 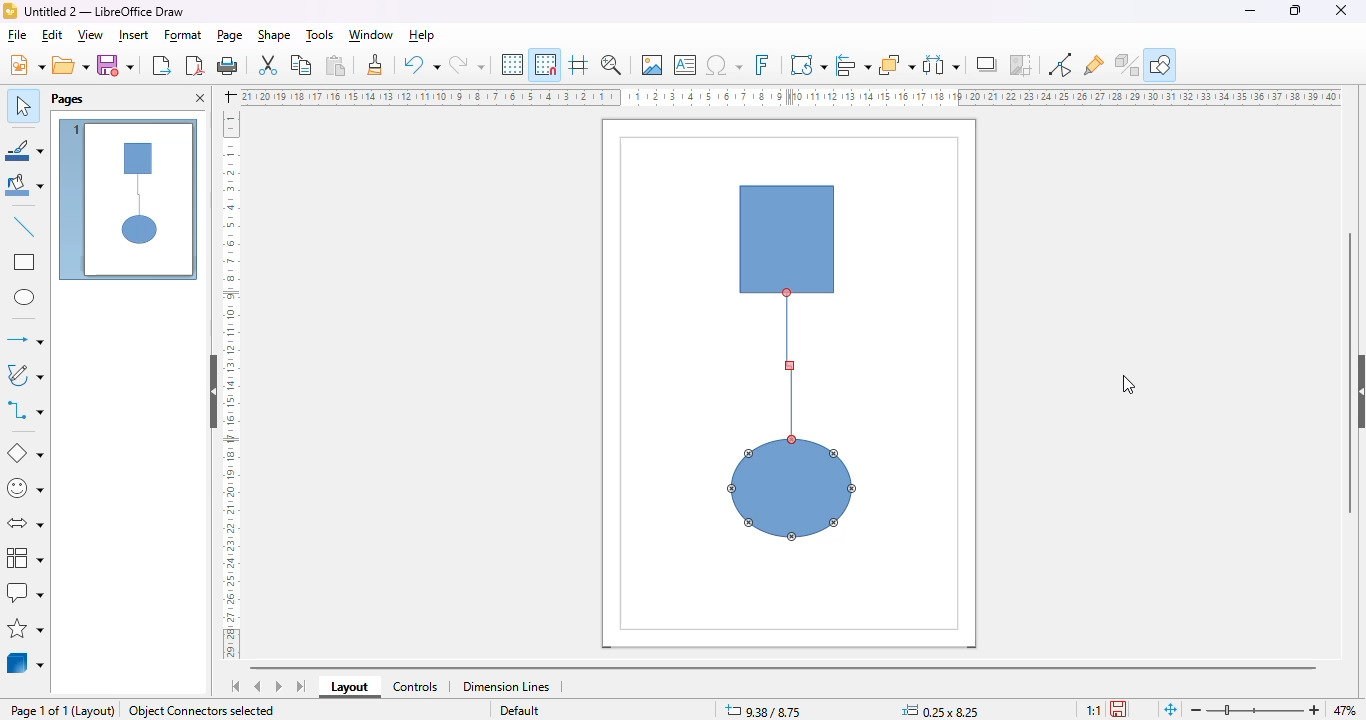 What do you see at coordinates (24, 339) in the screenshot?
I see `lines and arrows` at bounding box center [24, 339].